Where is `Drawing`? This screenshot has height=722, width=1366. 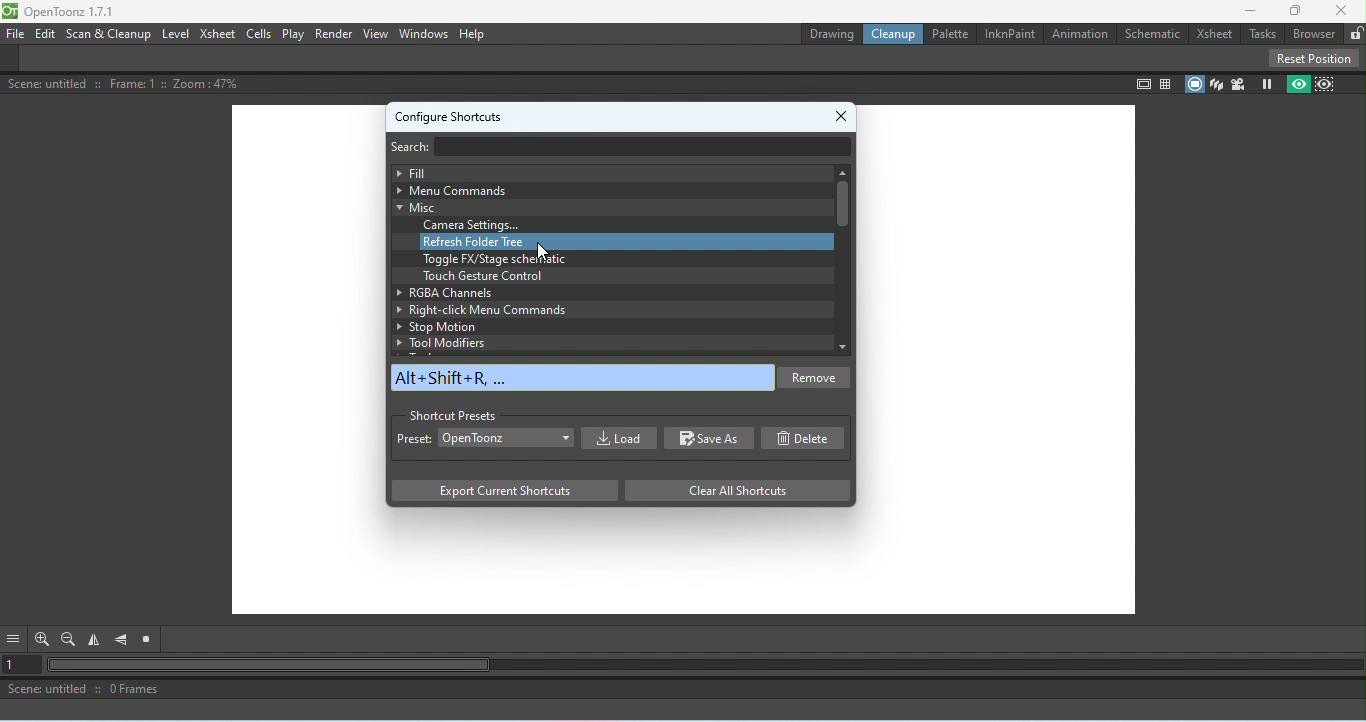
Drawing is located at coordinates (830, 34).